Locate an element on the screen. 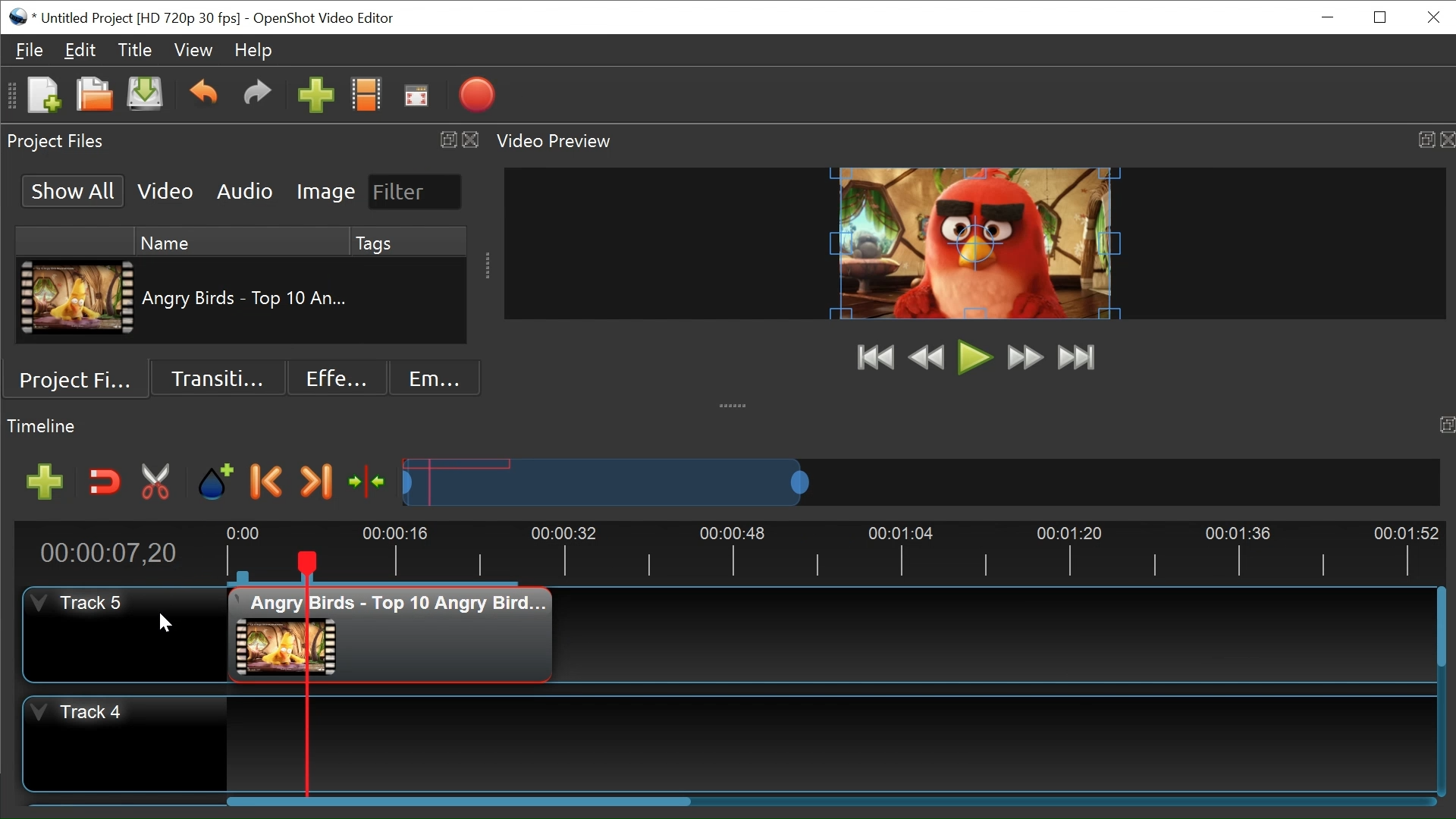  Redo is located at coordinates (260, 96).